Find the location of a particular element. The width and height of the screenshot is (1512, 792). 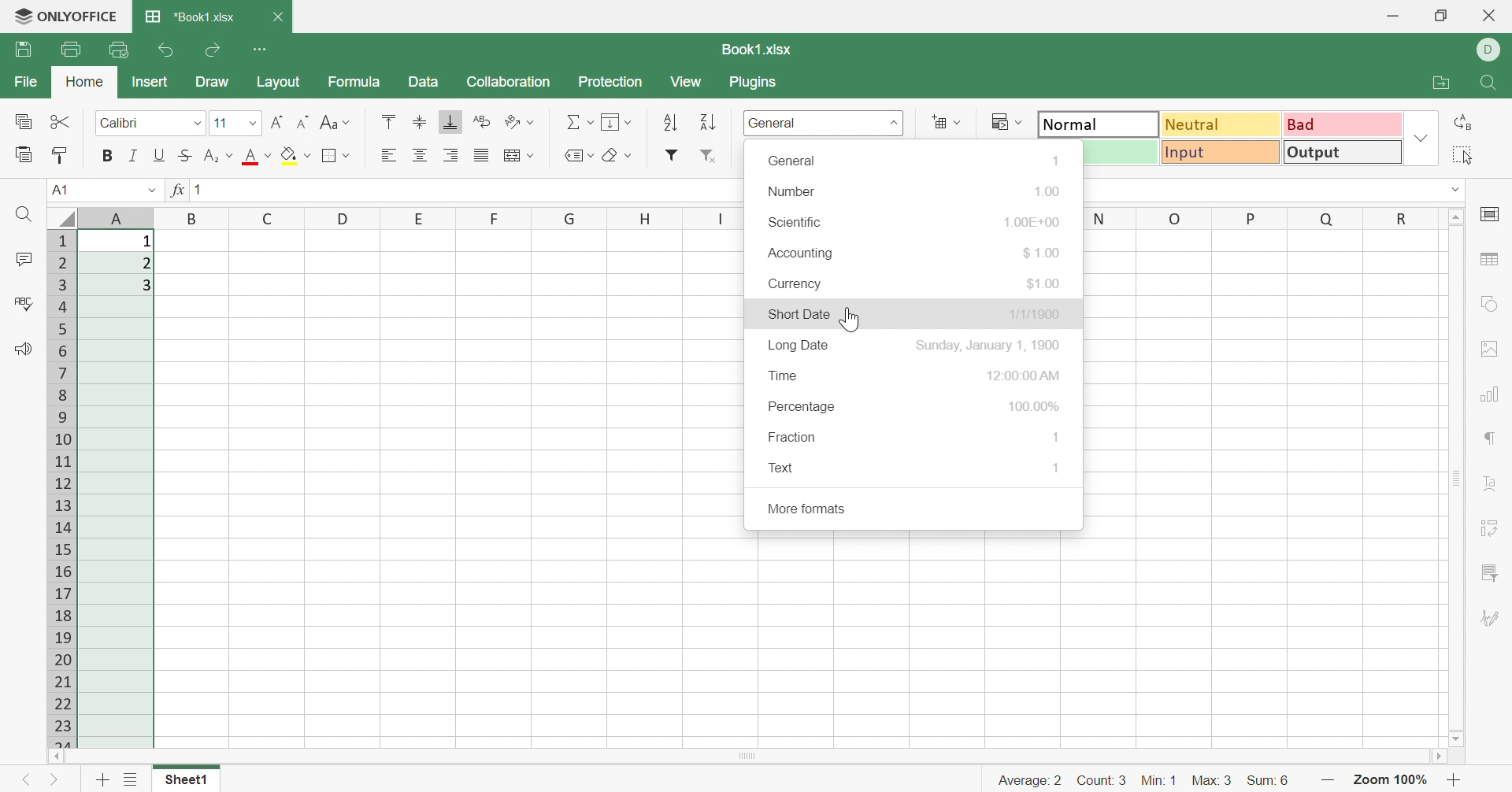

Minimize is located at coordinates (1394, 19).